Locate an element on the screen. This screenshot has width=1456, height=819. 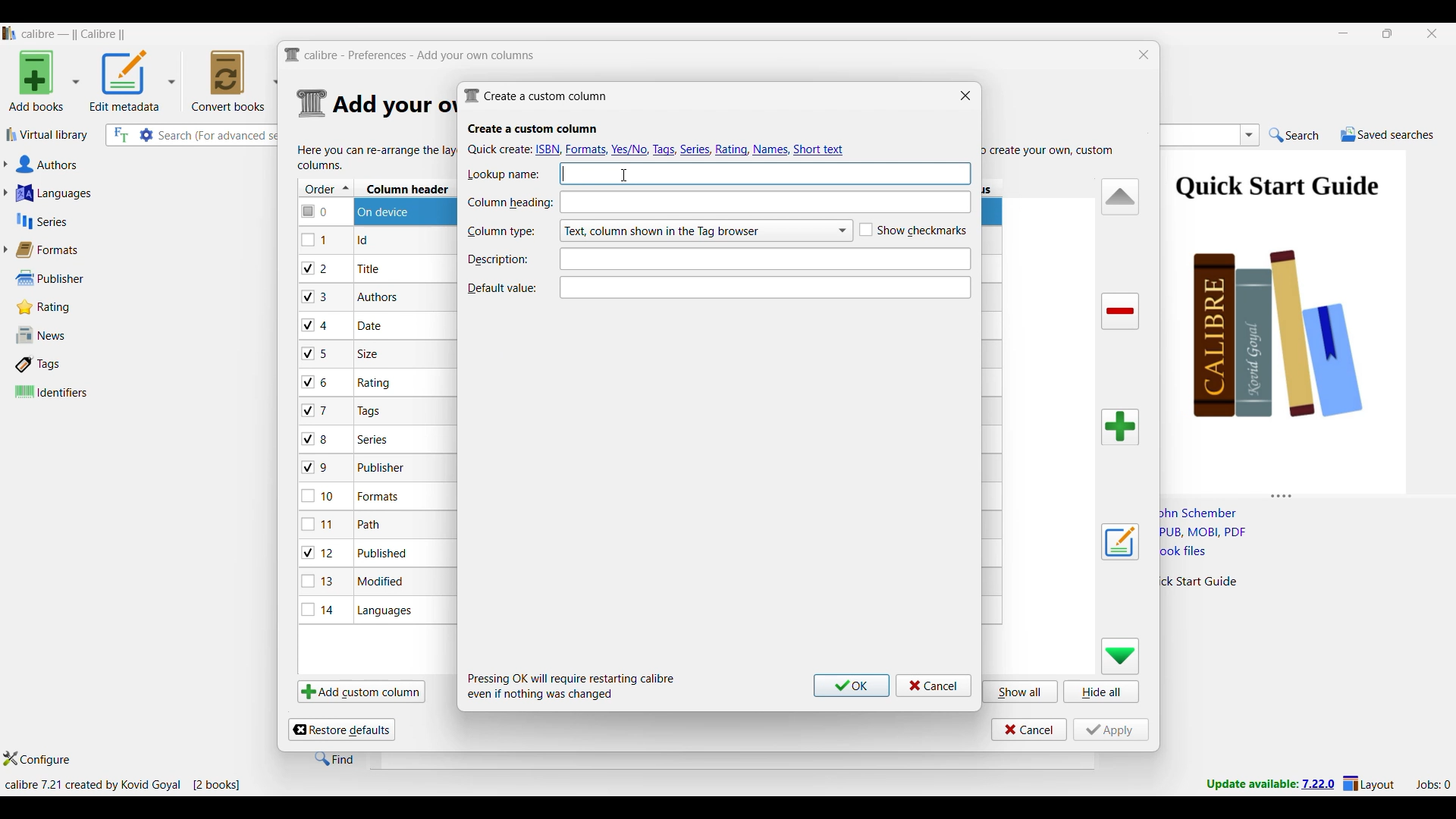
News is located at coordinates (71, 335).